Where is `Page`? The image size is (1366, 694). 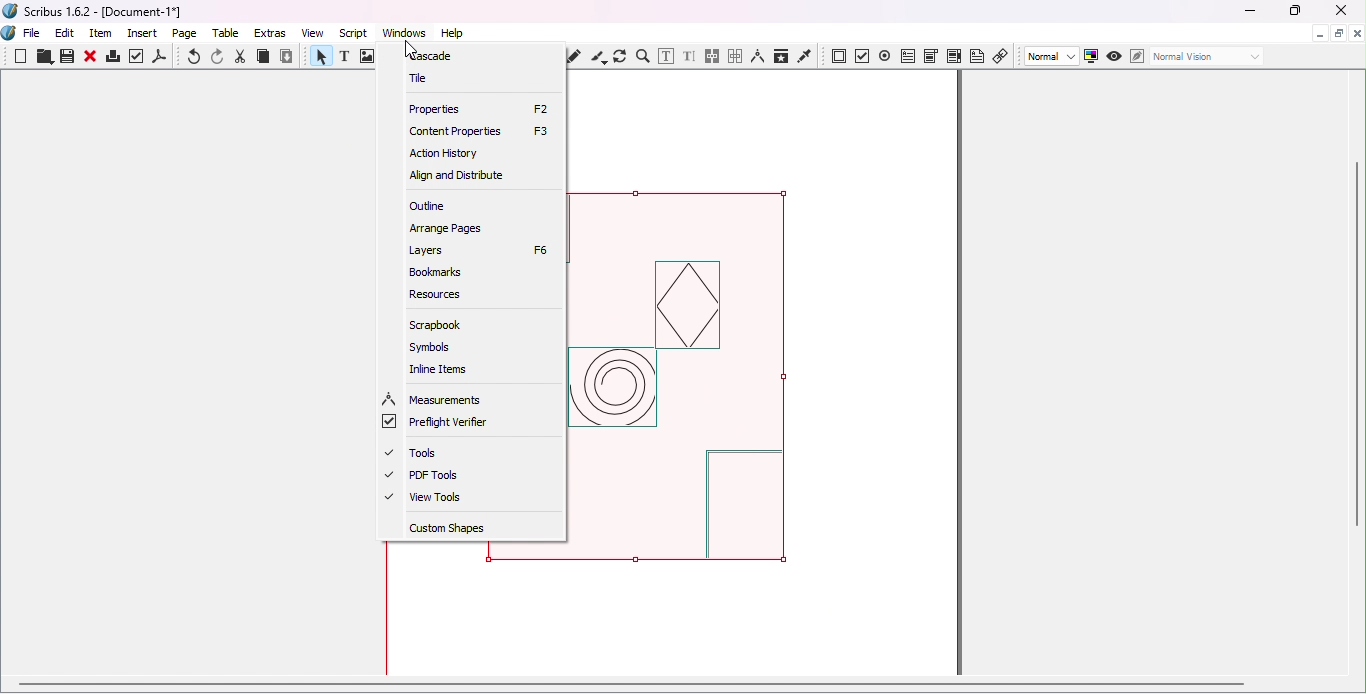 Page is located at coordinates (188, 35).